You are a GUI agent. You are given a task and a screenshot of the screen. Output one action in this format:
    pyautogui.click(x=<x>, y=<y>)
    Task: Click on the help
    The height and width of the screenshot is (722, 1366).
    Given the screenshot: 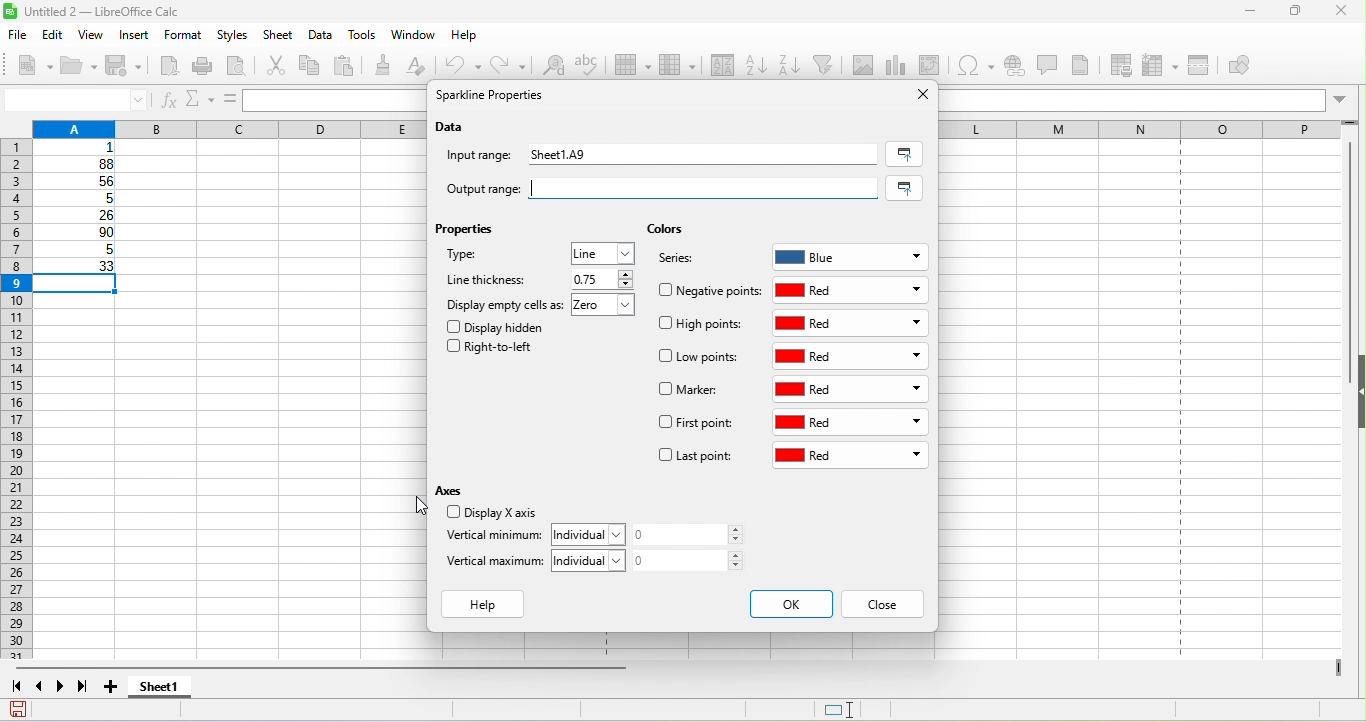 What is the action you would take?
    pyautogui.click(x=488, y=605)
    